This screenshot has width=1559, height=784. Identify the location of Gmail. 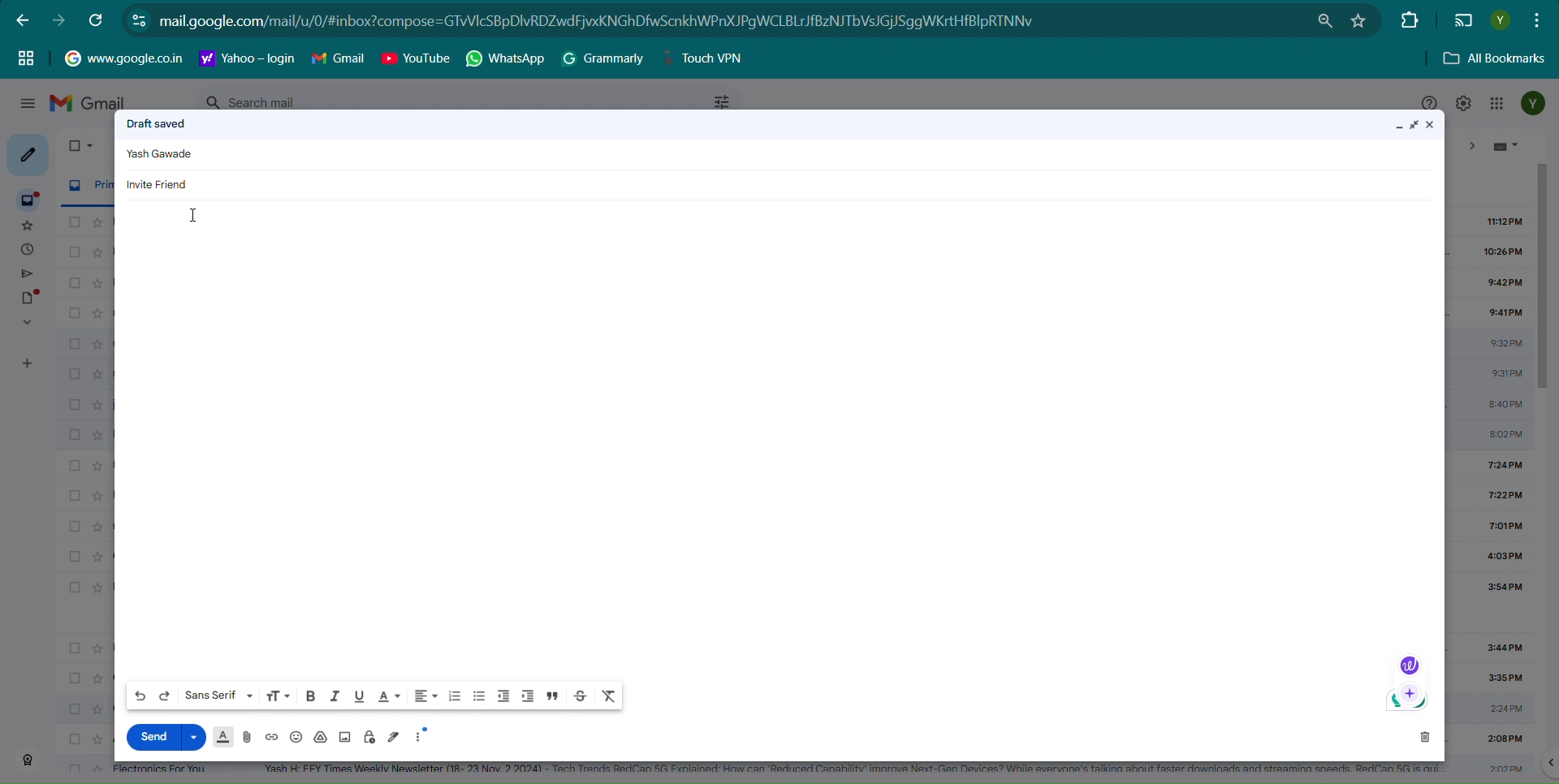
(339, 58).